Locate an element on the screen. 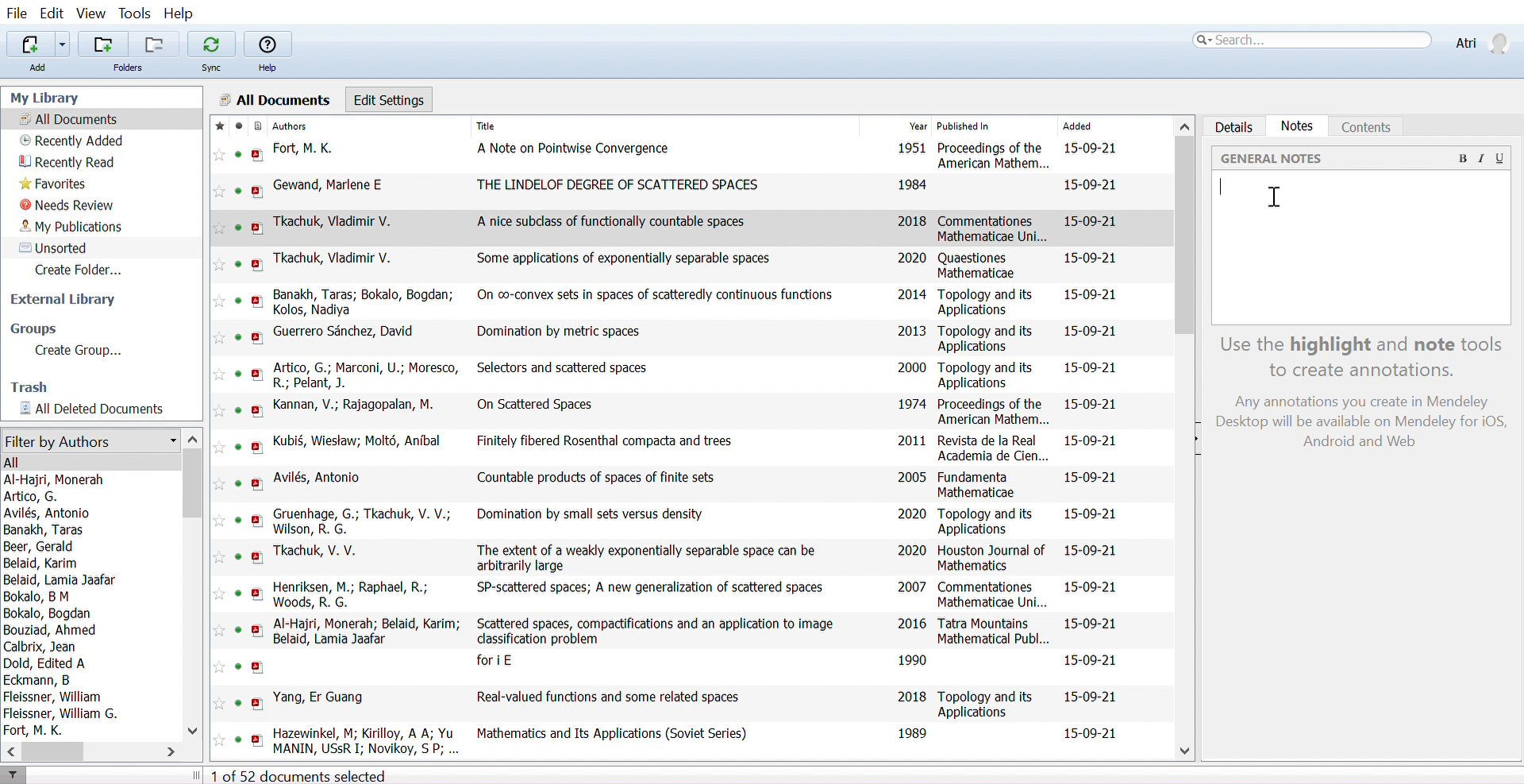 This screenshot has height=784, width=1524. Beer, Gerald is located at coordinates (43, 547).